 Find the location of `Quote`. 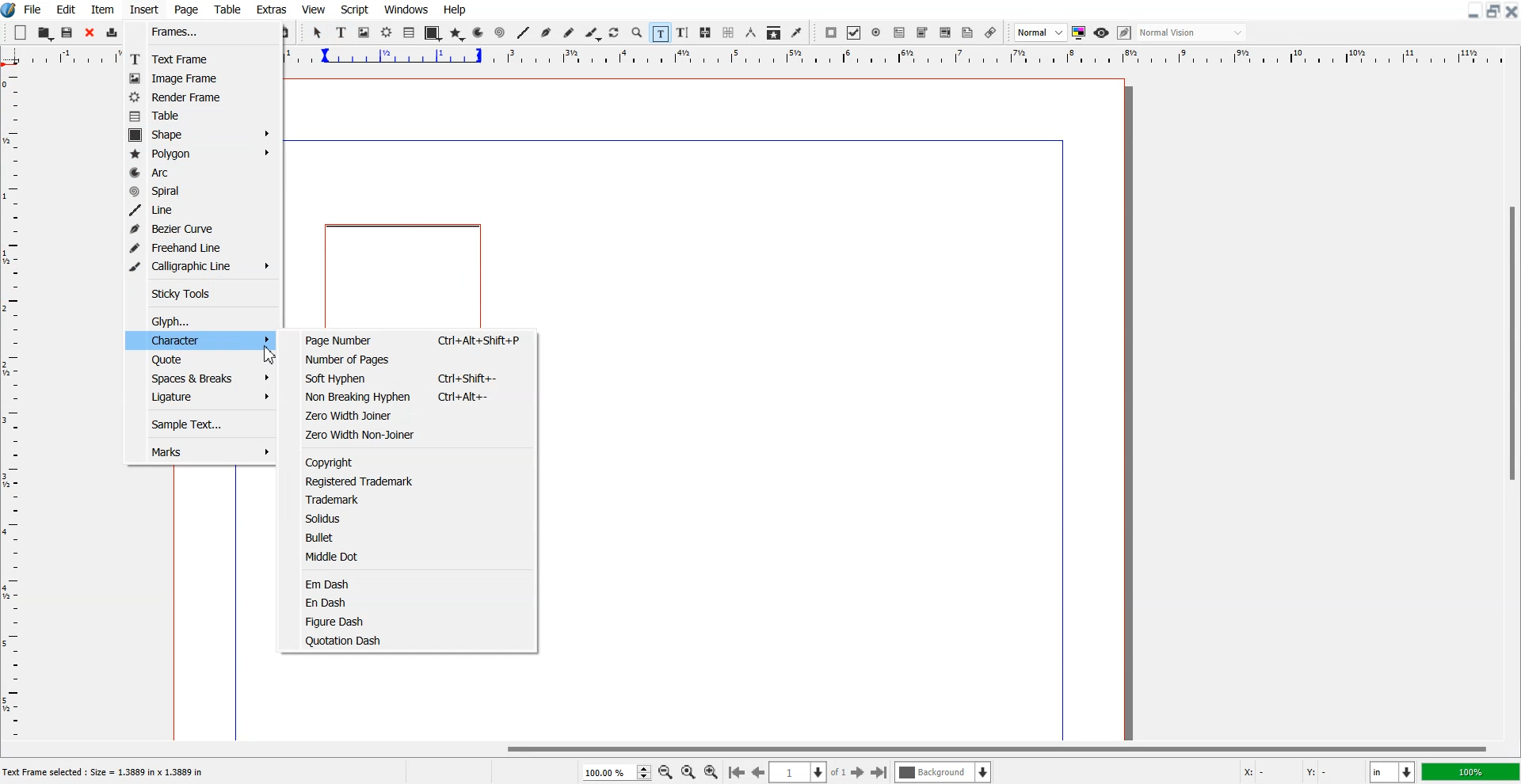

Quote is located at coordinates (200, 359).